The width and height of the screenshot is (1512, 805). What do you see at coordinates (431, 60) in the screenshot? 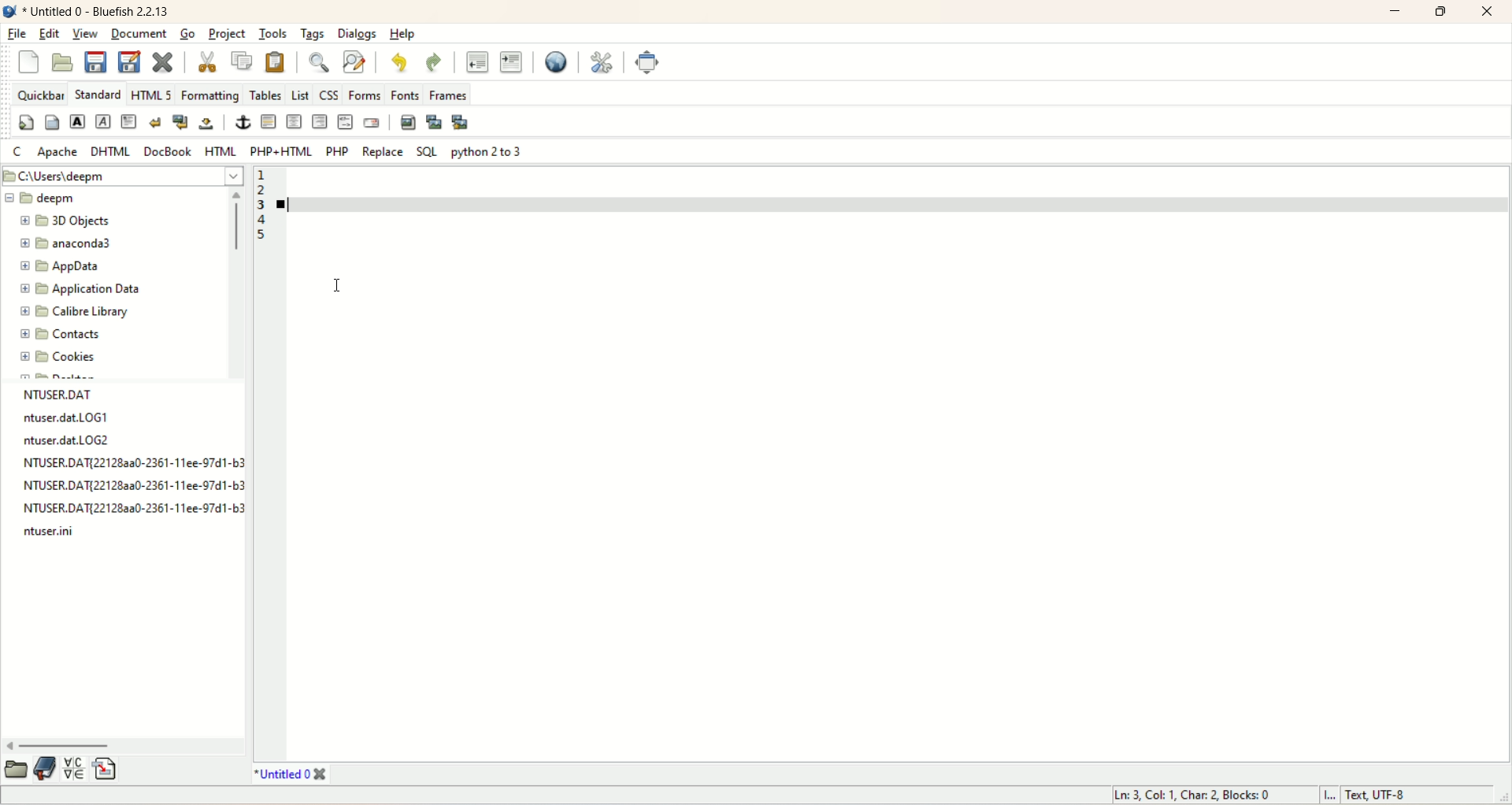
I see `redo` at bounding box center [431, 60].